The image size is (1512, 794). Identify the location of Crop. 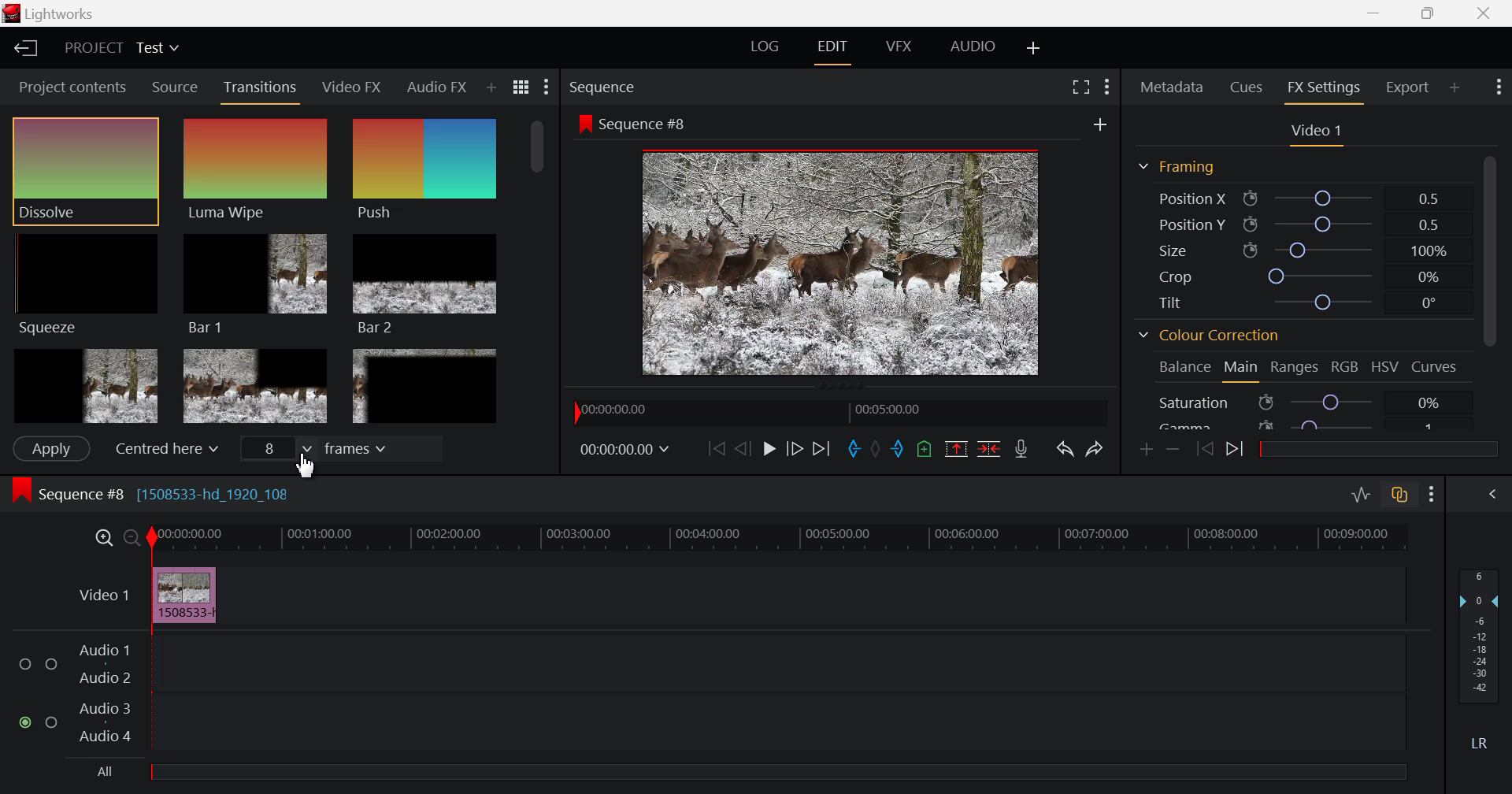
(1295, 275).